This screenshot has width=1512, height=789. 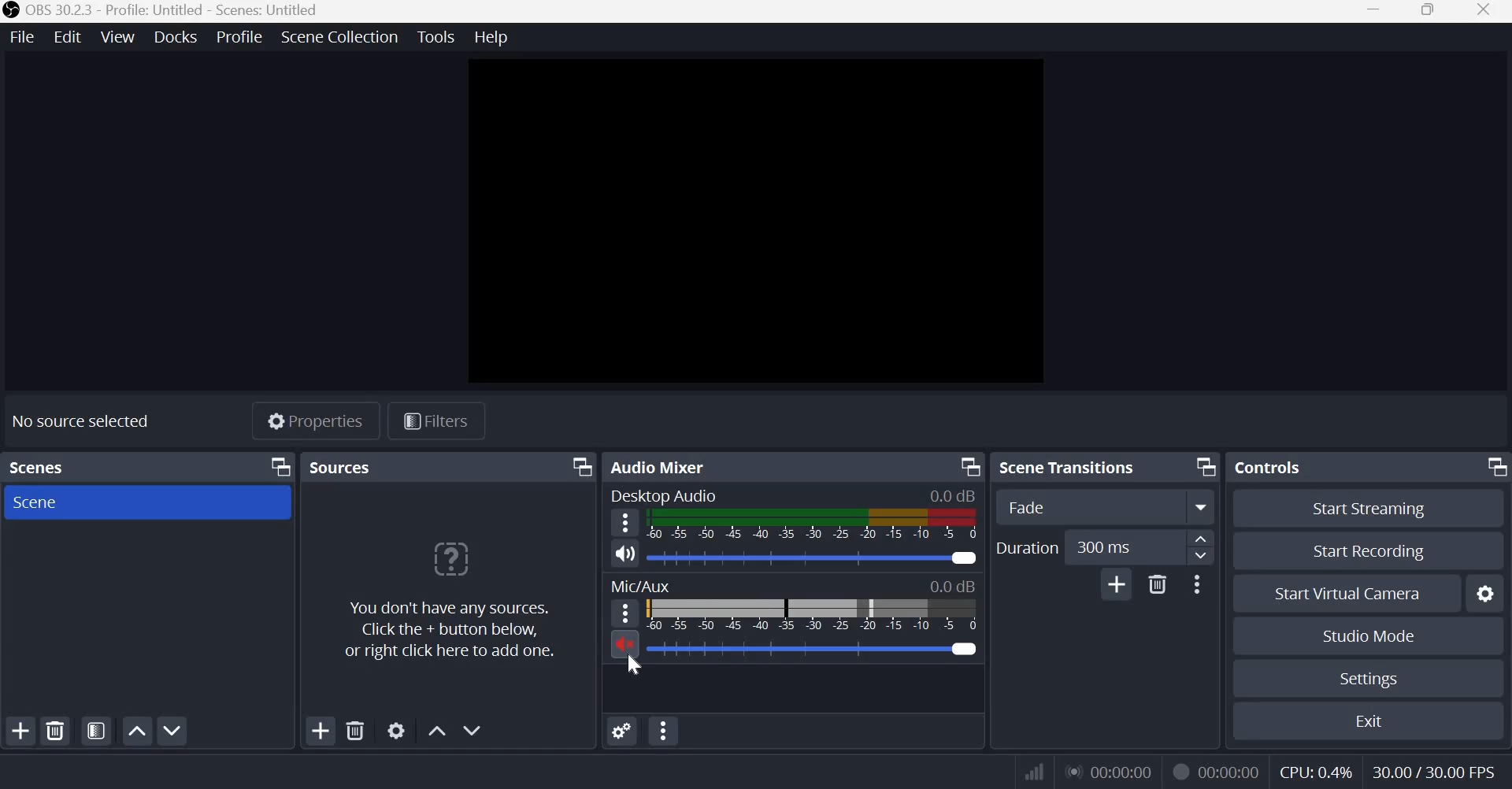 What do you see at coordinates (1484, 594) in the screenshot?
I see `Configure virtual camera` at bounding box center [1484, 594].